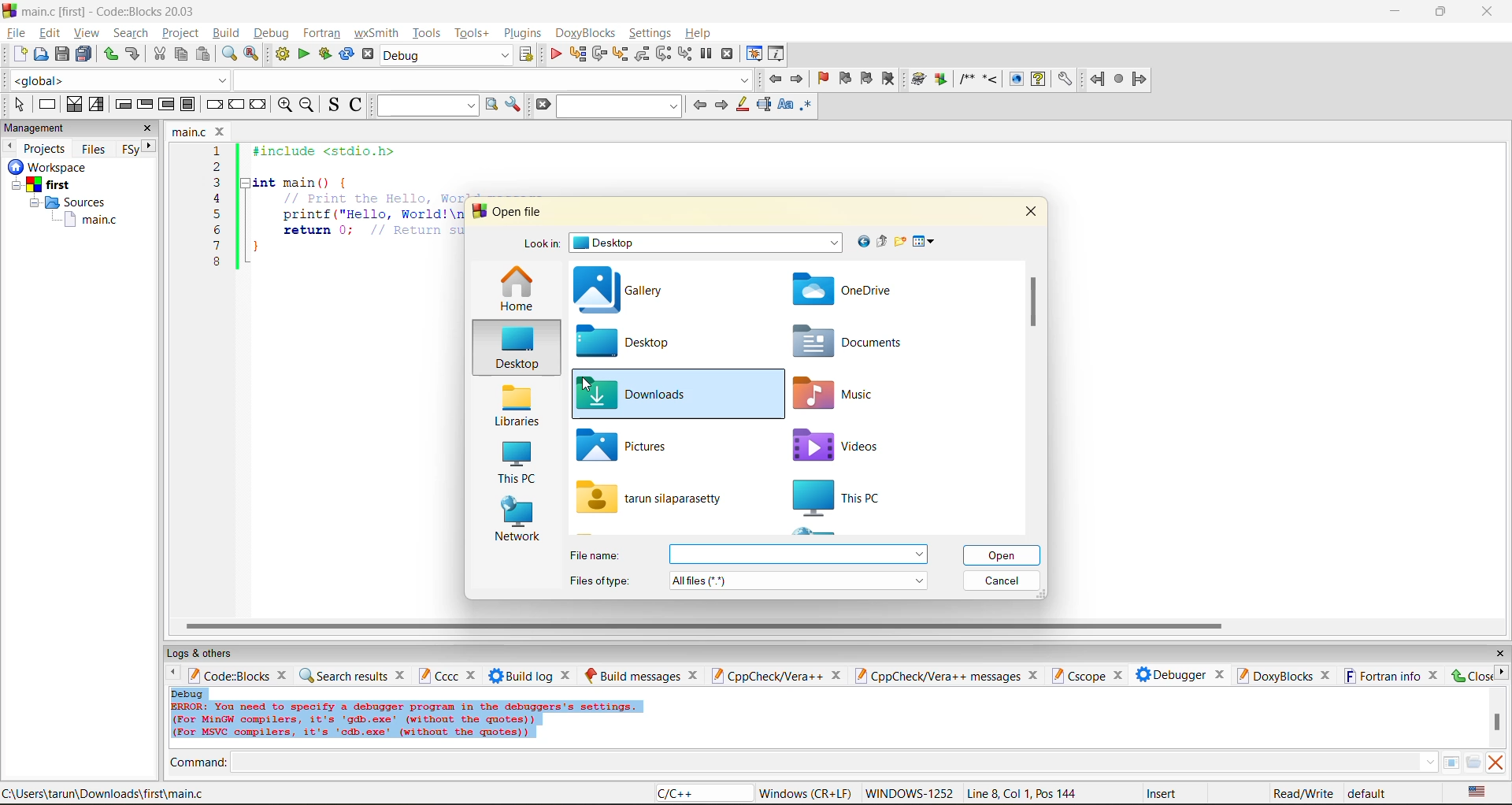 The width and height of the screenshot is (1512, 805). Describe the element at coordinates (1273, 675) in the screenshot. I see `doxyblocks` at that location.